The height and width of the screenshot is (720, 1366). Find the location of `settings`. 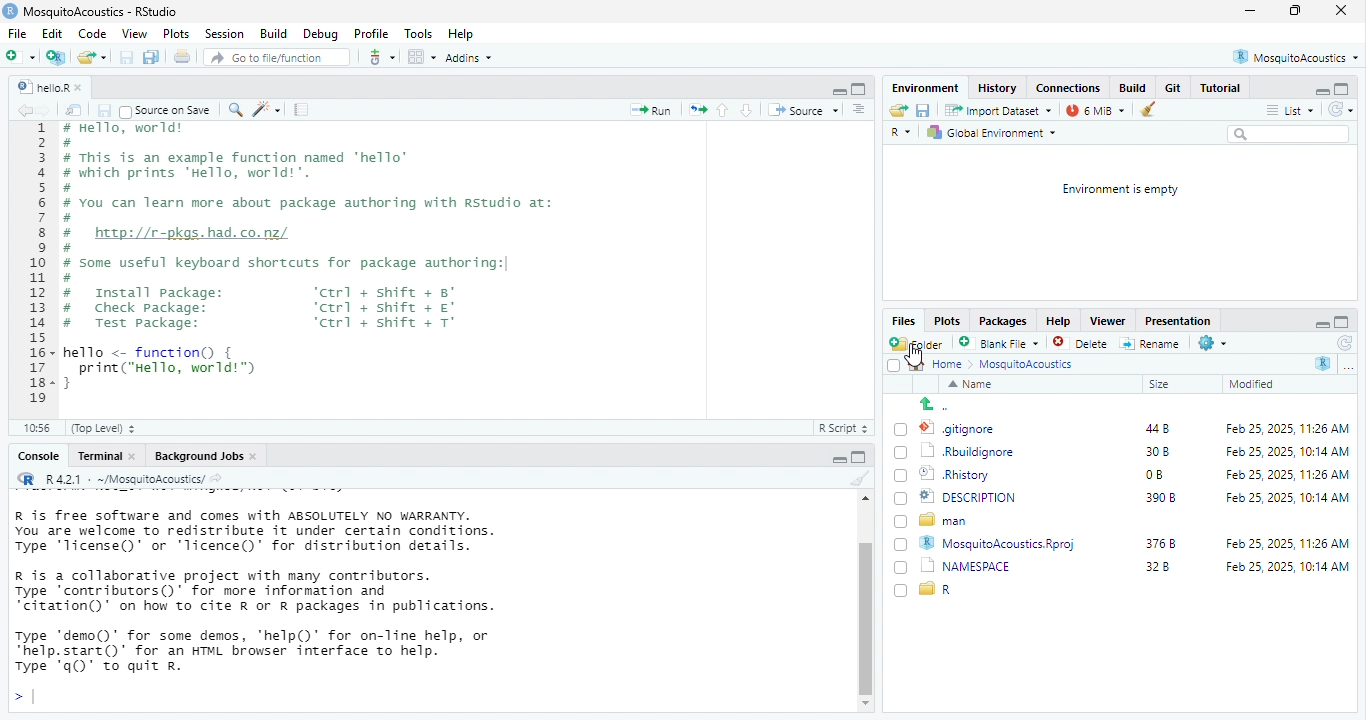

settings is located at coordinates (1219, 344).